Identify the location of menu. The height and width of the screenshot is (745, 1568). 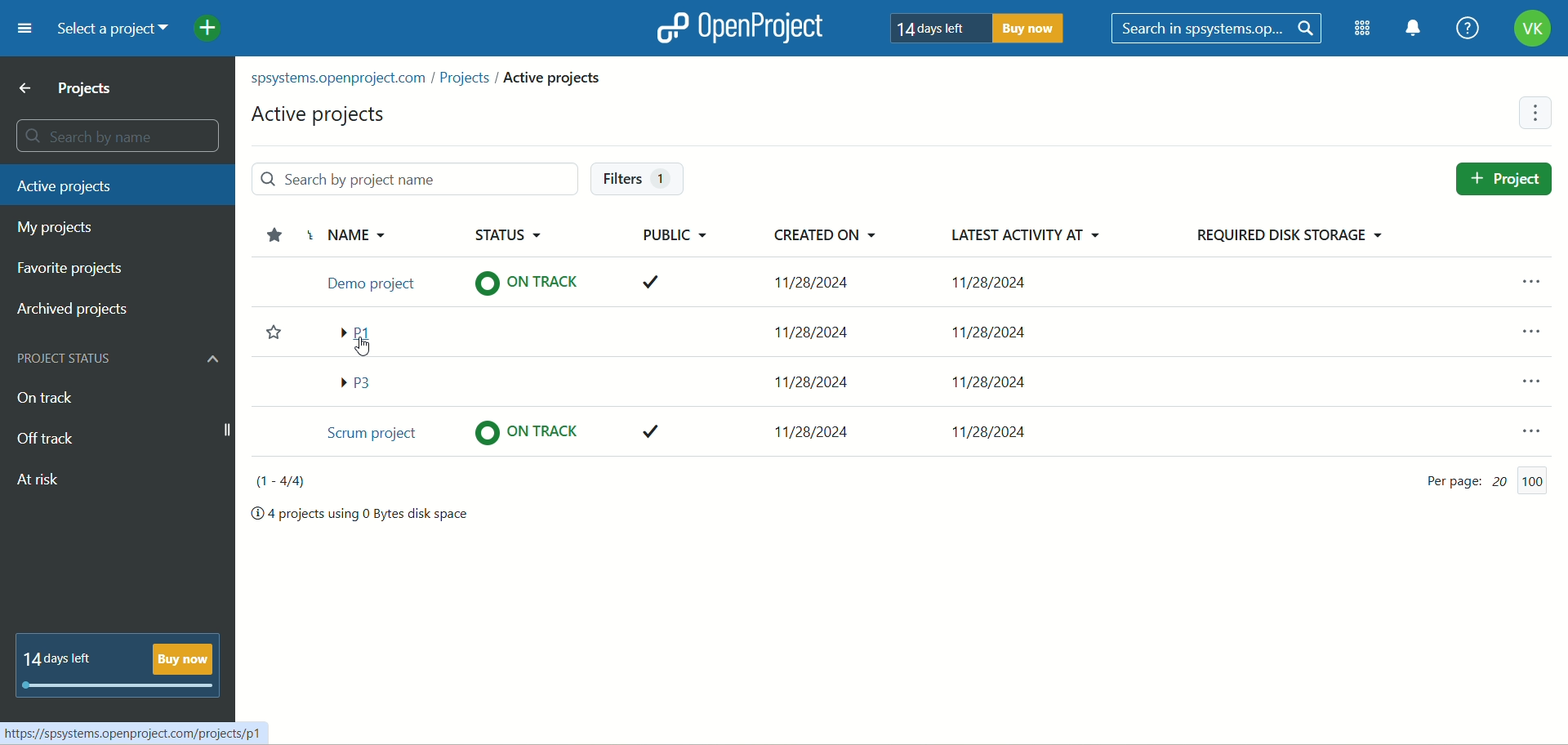
(1526, 274).